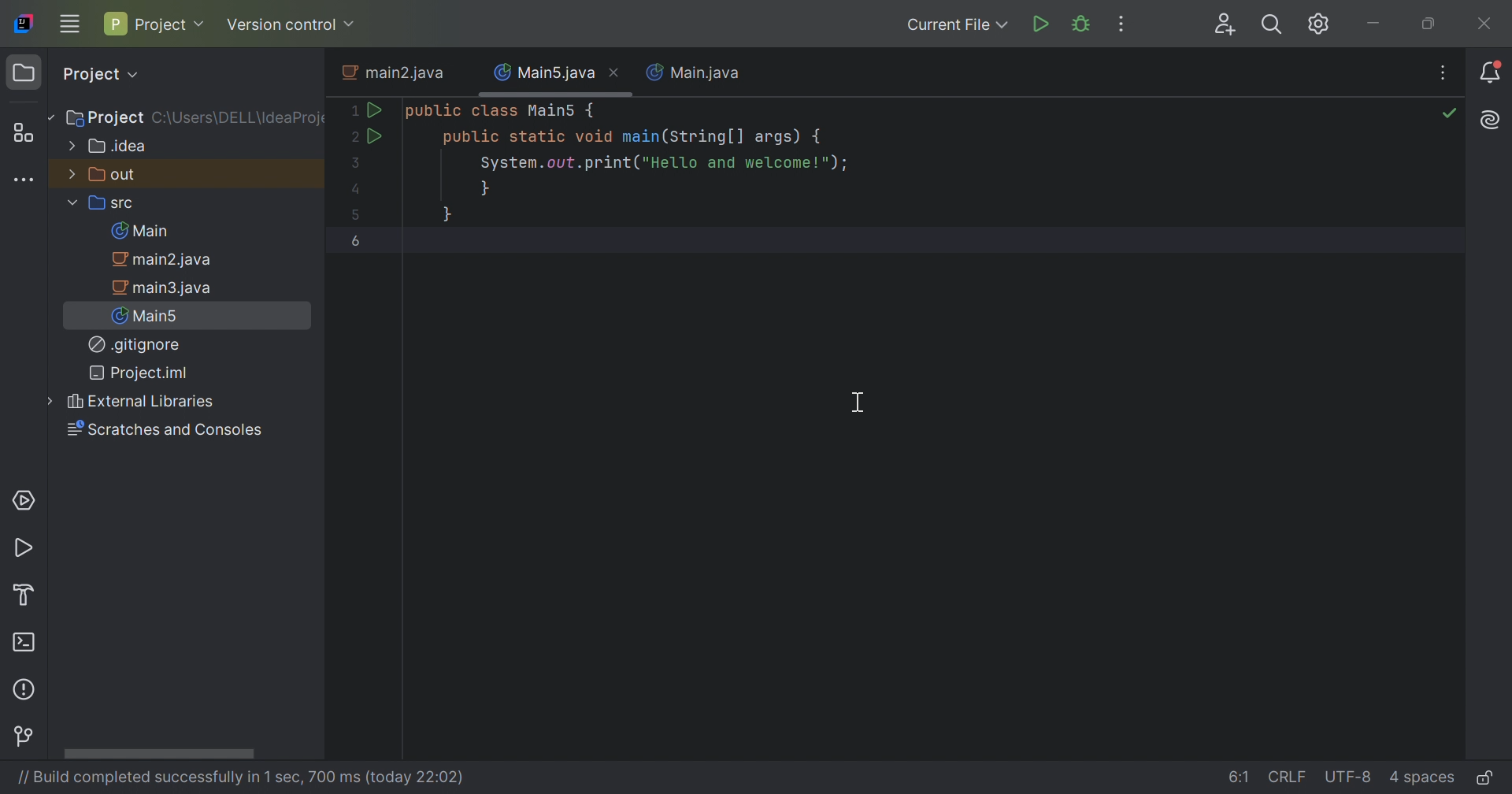  What do you see at coordinates (135, 345) in the screenshot?
I see `.gitignore` at bounding box center [135, 345].